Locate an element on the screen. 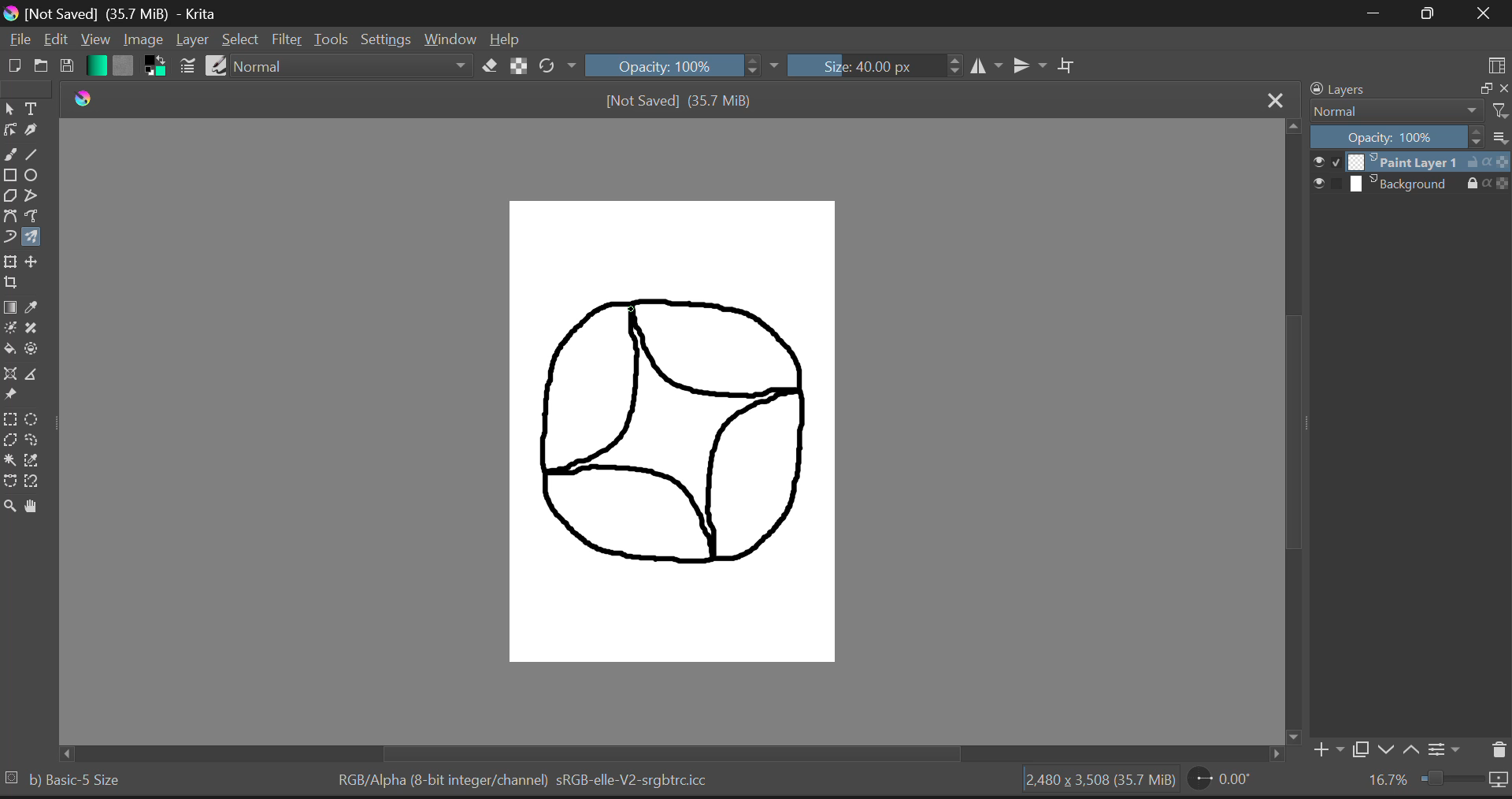  [Not Saved] (35.7 MiB) is located at coordinates (687, 102).